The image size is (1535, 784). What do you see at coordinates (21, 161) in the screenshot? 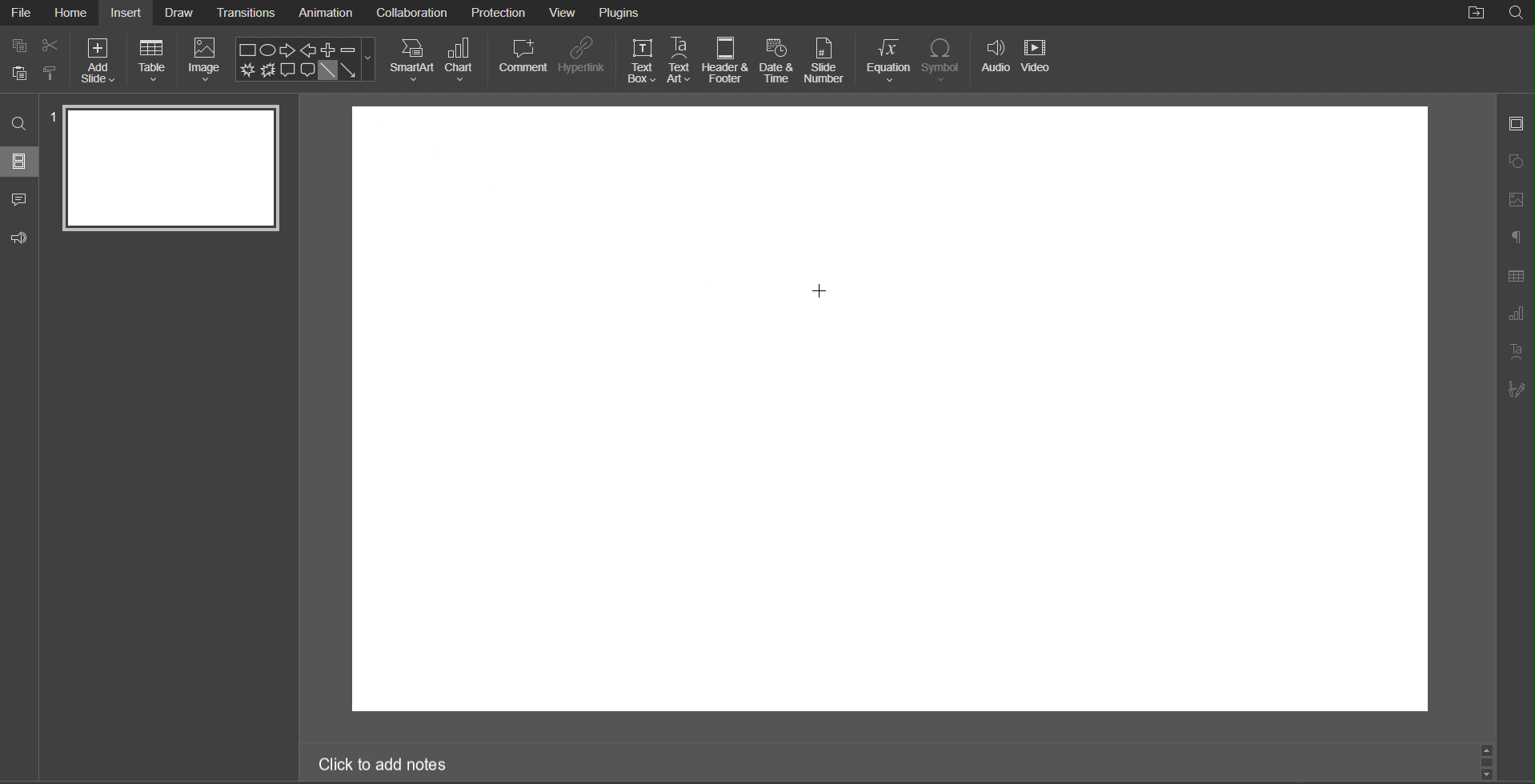
I see `Slides` at bounding box center [21, 161].